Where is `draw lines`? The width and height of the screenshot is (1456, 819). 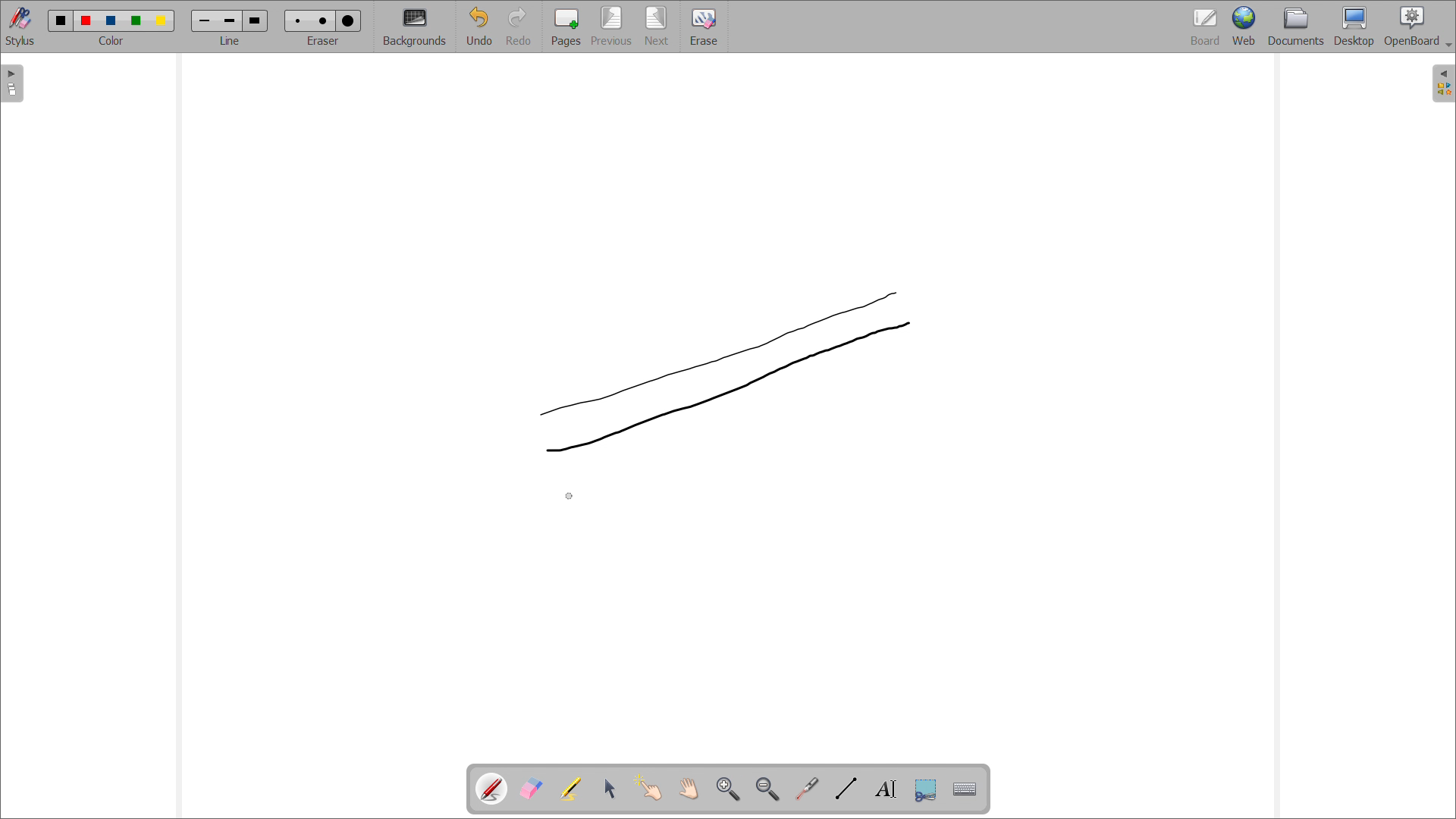 draw lines is located at coordinates (846, 789).